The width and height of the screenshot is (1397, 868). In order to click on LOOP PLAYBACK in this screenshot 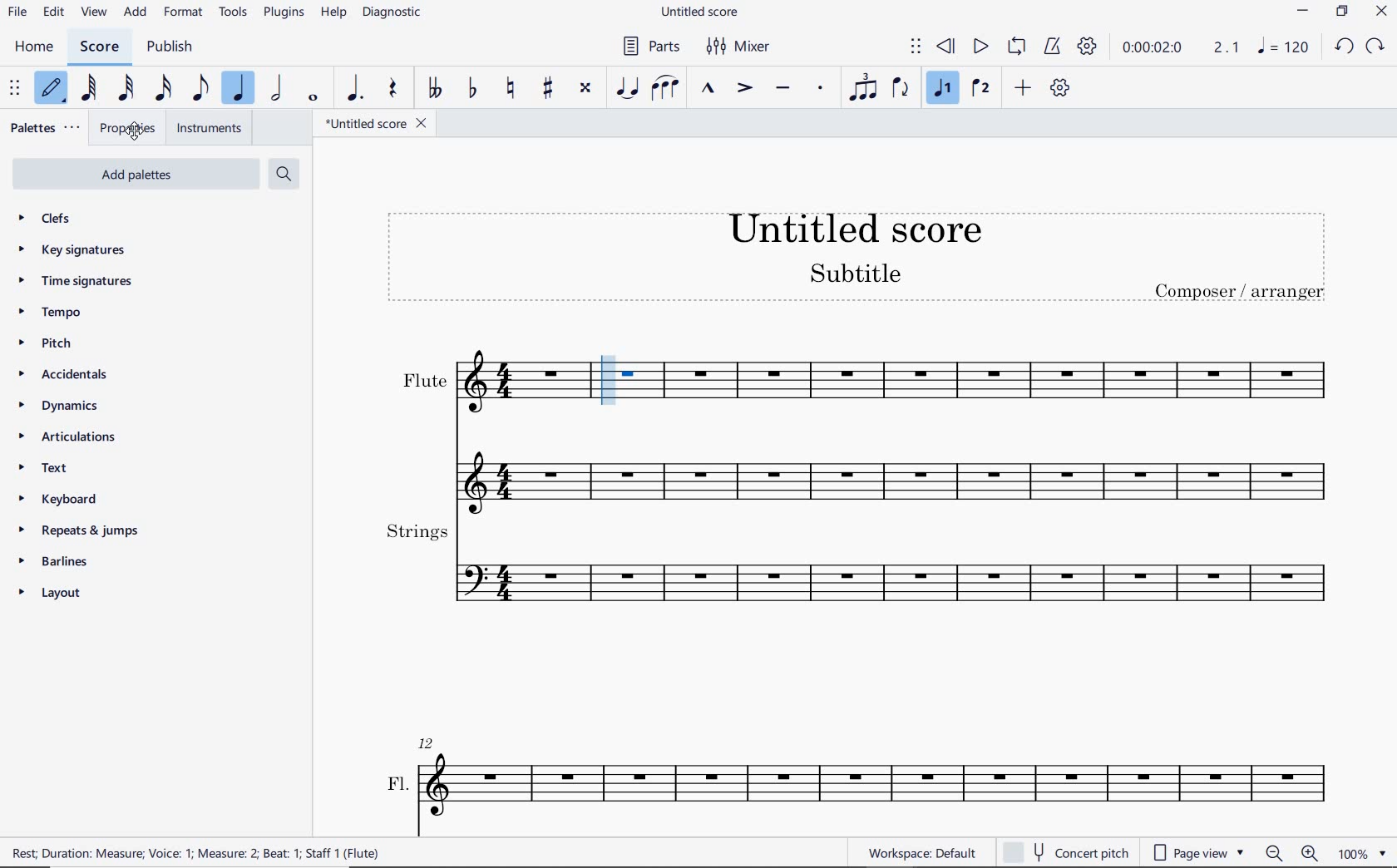, I will do `click(1019, 48)`.